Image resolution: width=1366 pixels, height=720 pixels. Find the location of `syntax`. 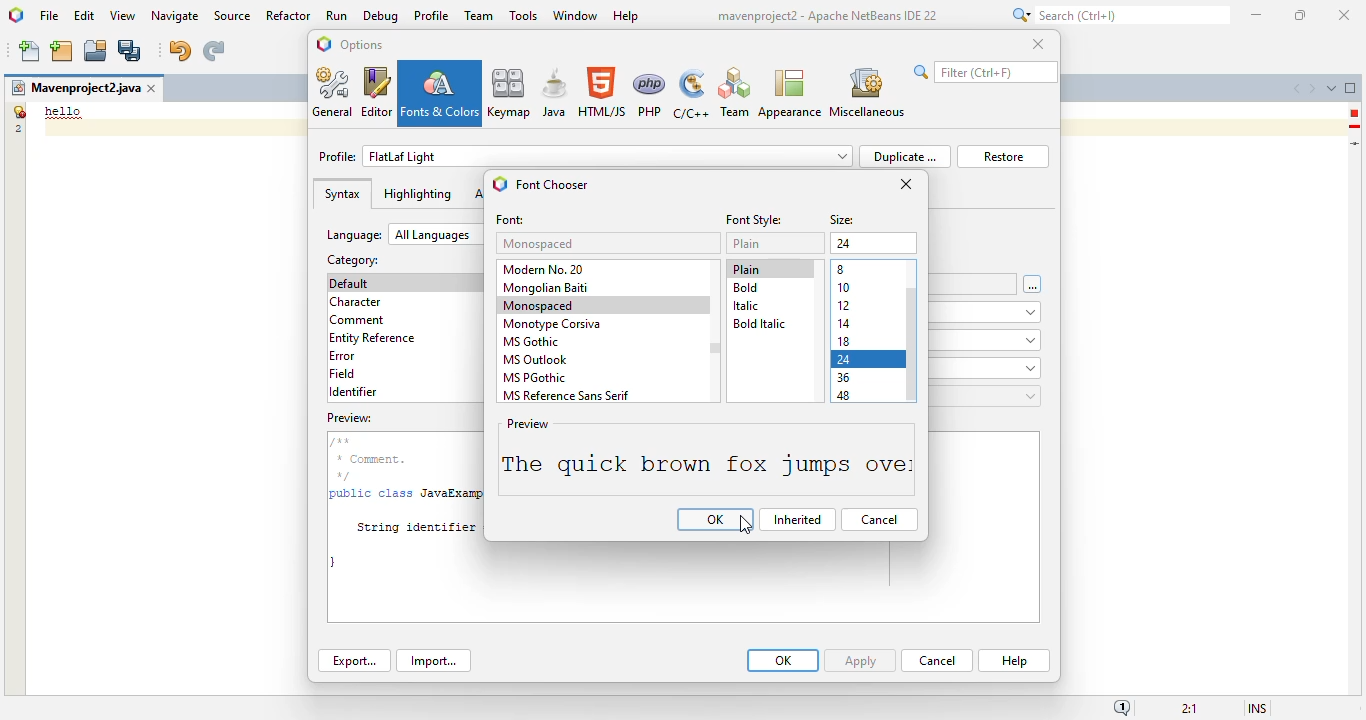

syntax is located at coordinates (342, 194).